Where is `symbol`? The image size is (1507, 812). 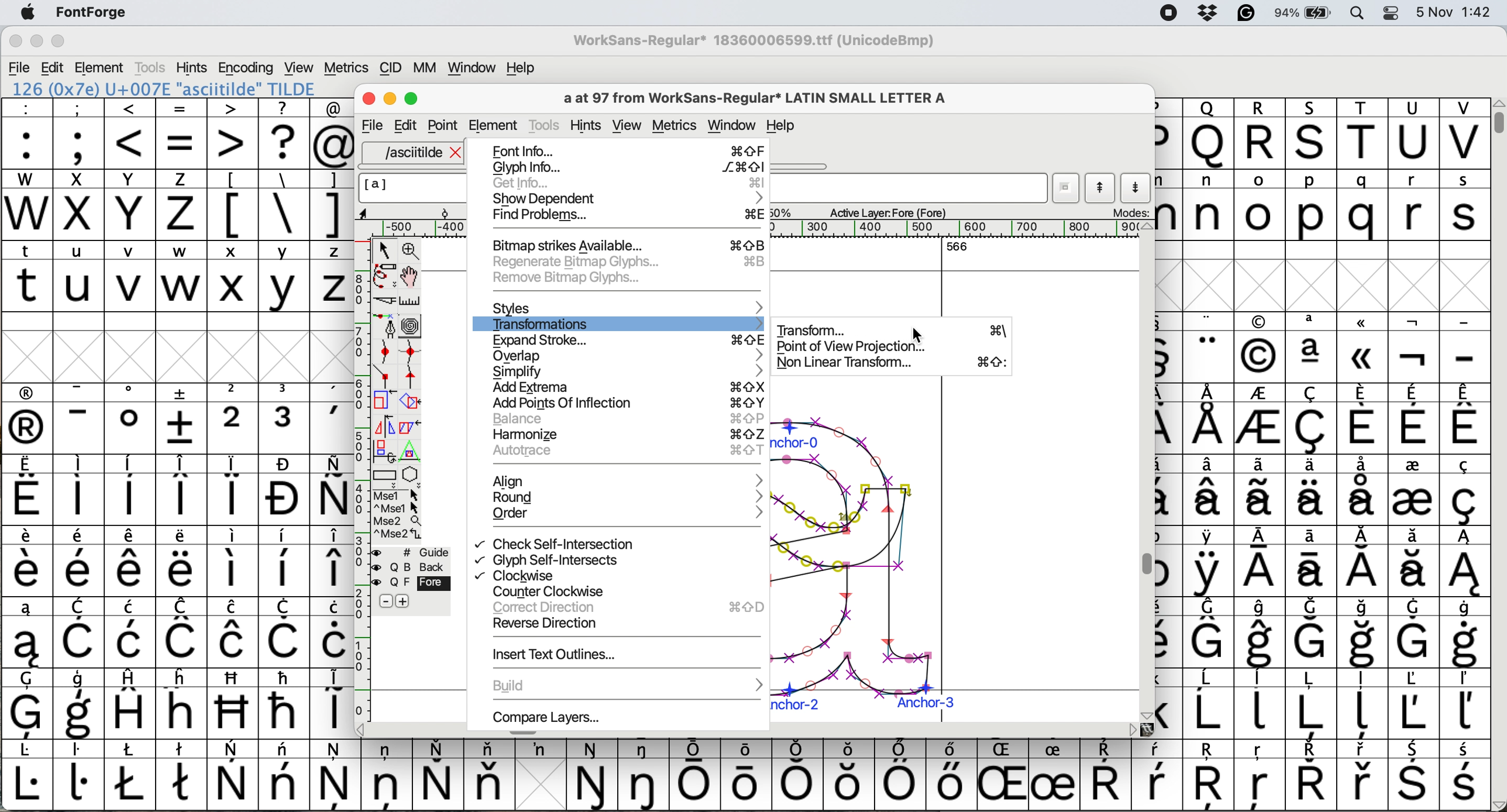 symbol is located at coordinates (130, 775).